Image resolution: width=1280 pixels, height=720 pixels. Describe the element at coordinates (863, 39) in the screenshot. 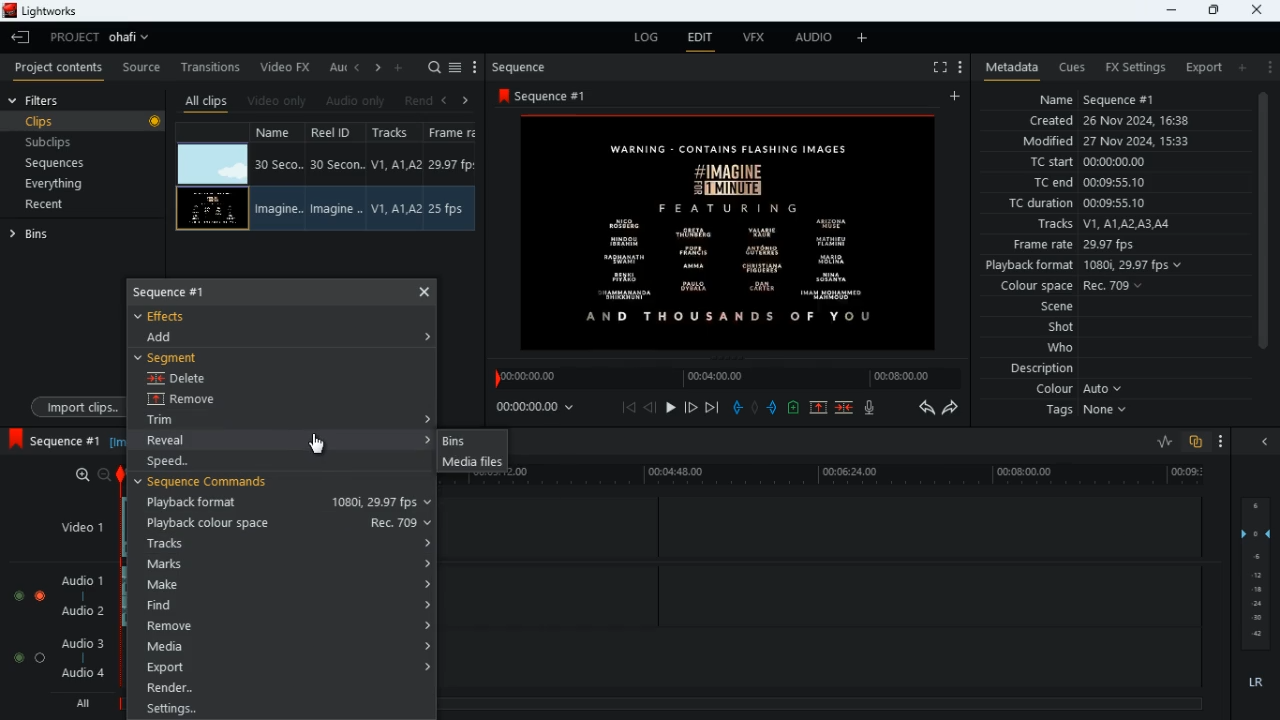

I see `add` at that location.